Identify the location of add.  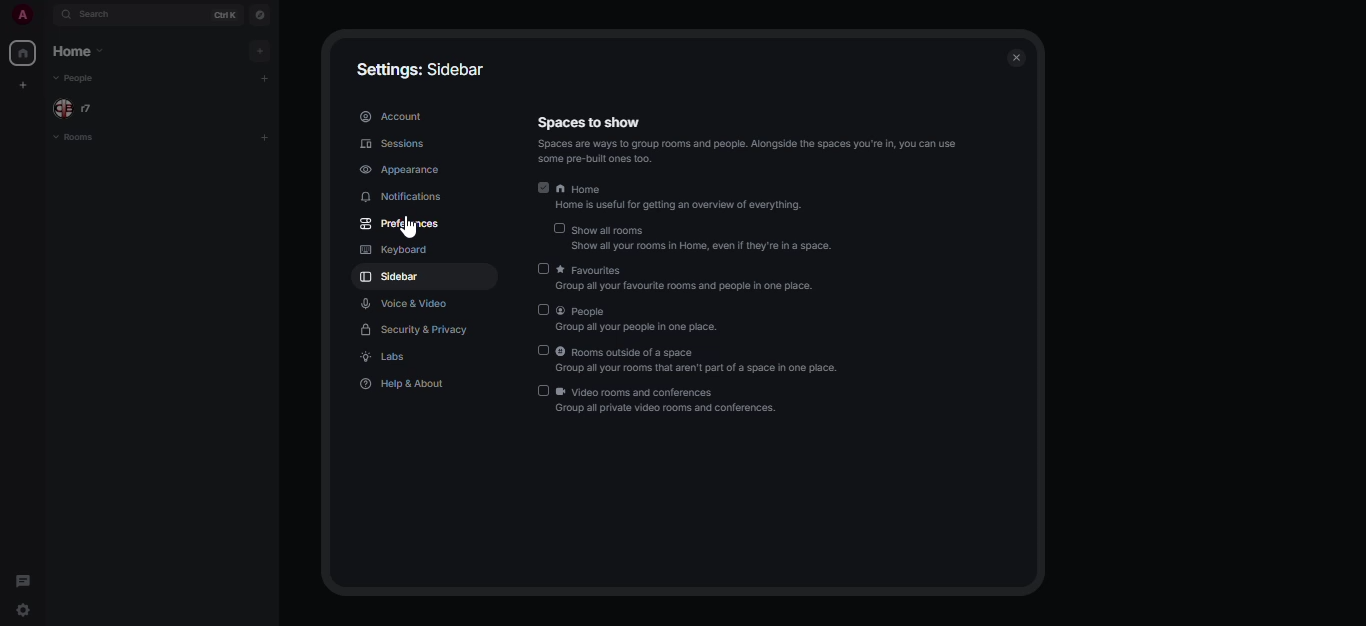
(259, 51).